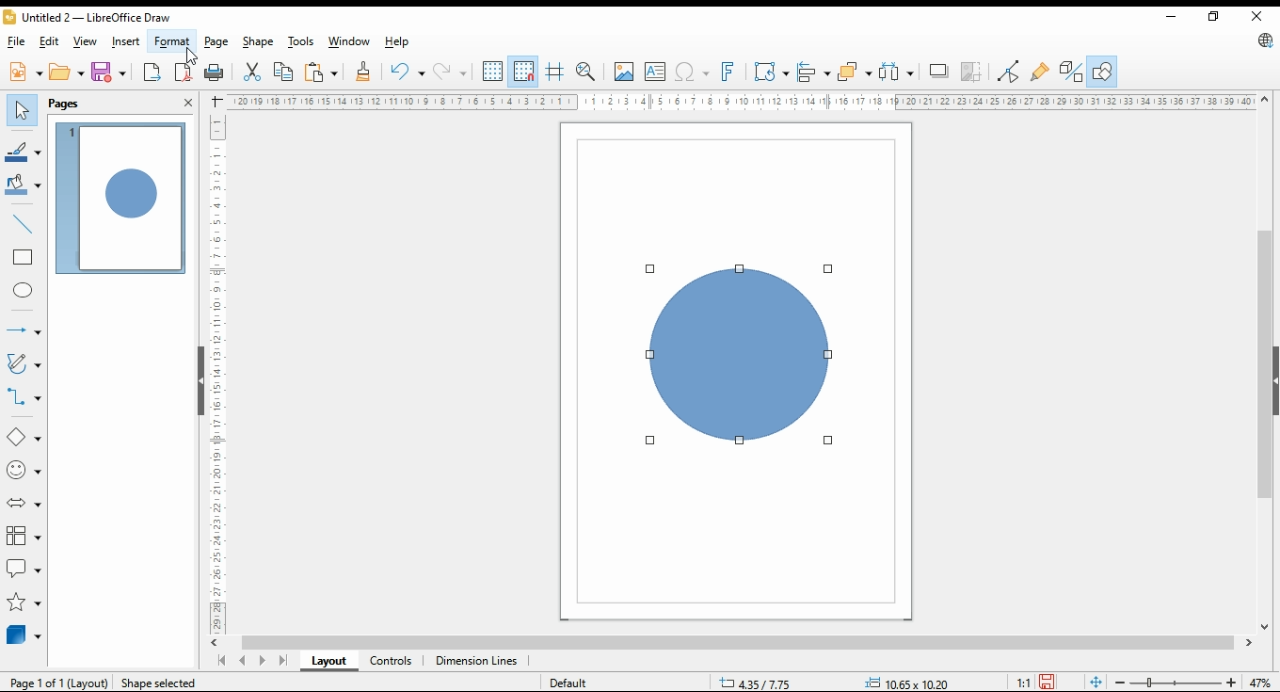 Image resolution: width=1280 pixels, height=692 pixels. Describe the element at coordinates (771, 71) in the screenshot. I see `transformations` at that location.